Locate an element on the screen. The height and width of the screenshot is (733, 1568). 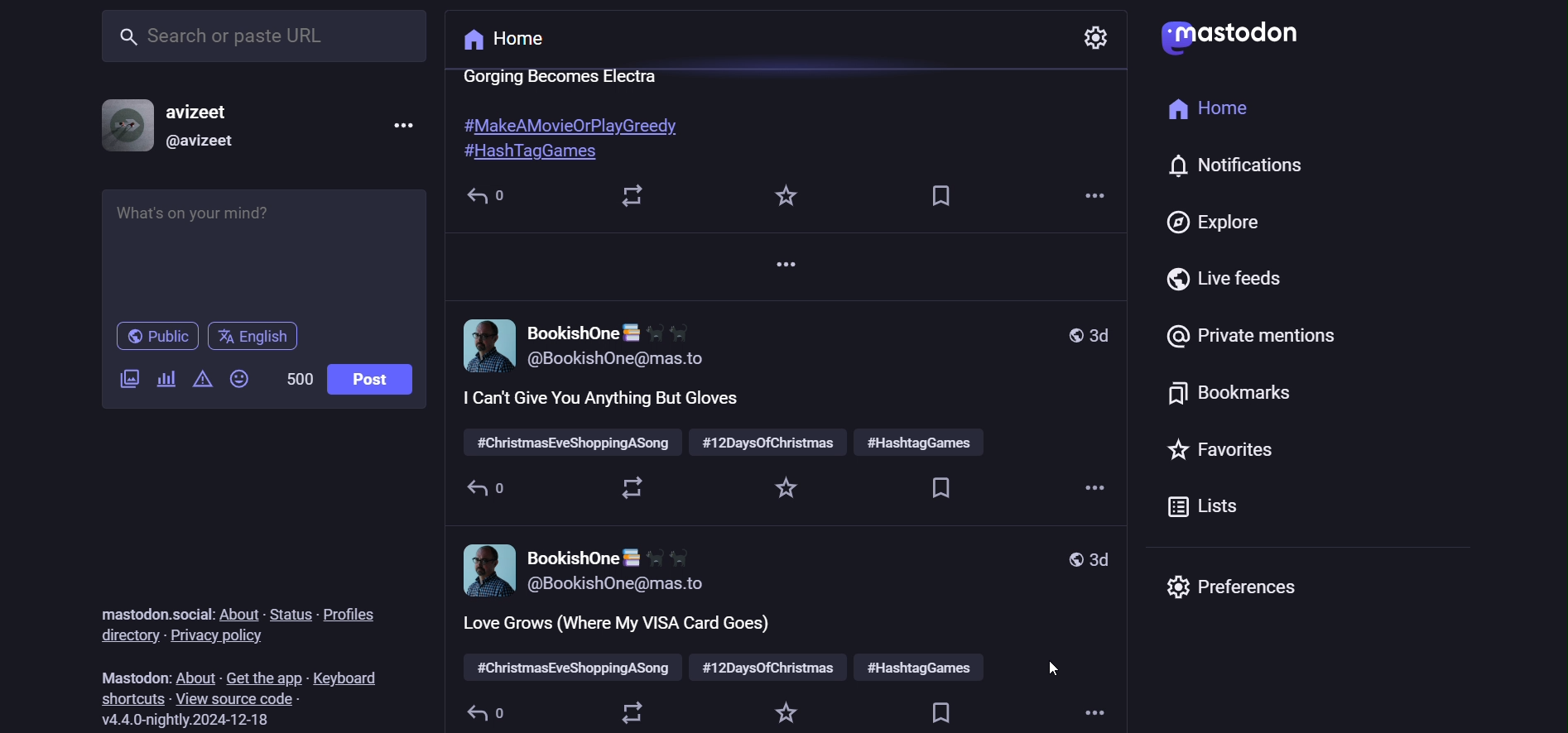
cursor is located at coordinates (1051, 668).